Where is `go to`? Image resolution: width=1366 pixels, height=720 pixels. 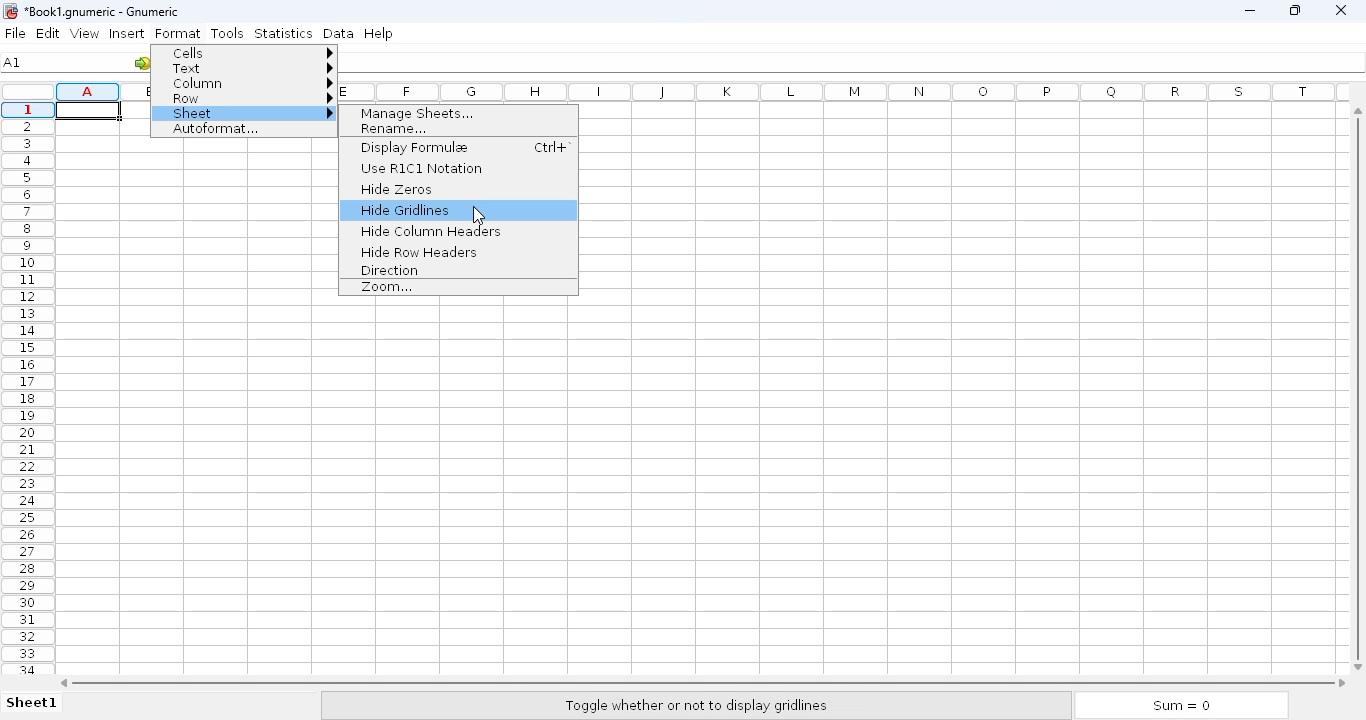 go to is located at coordinates (143, 62).